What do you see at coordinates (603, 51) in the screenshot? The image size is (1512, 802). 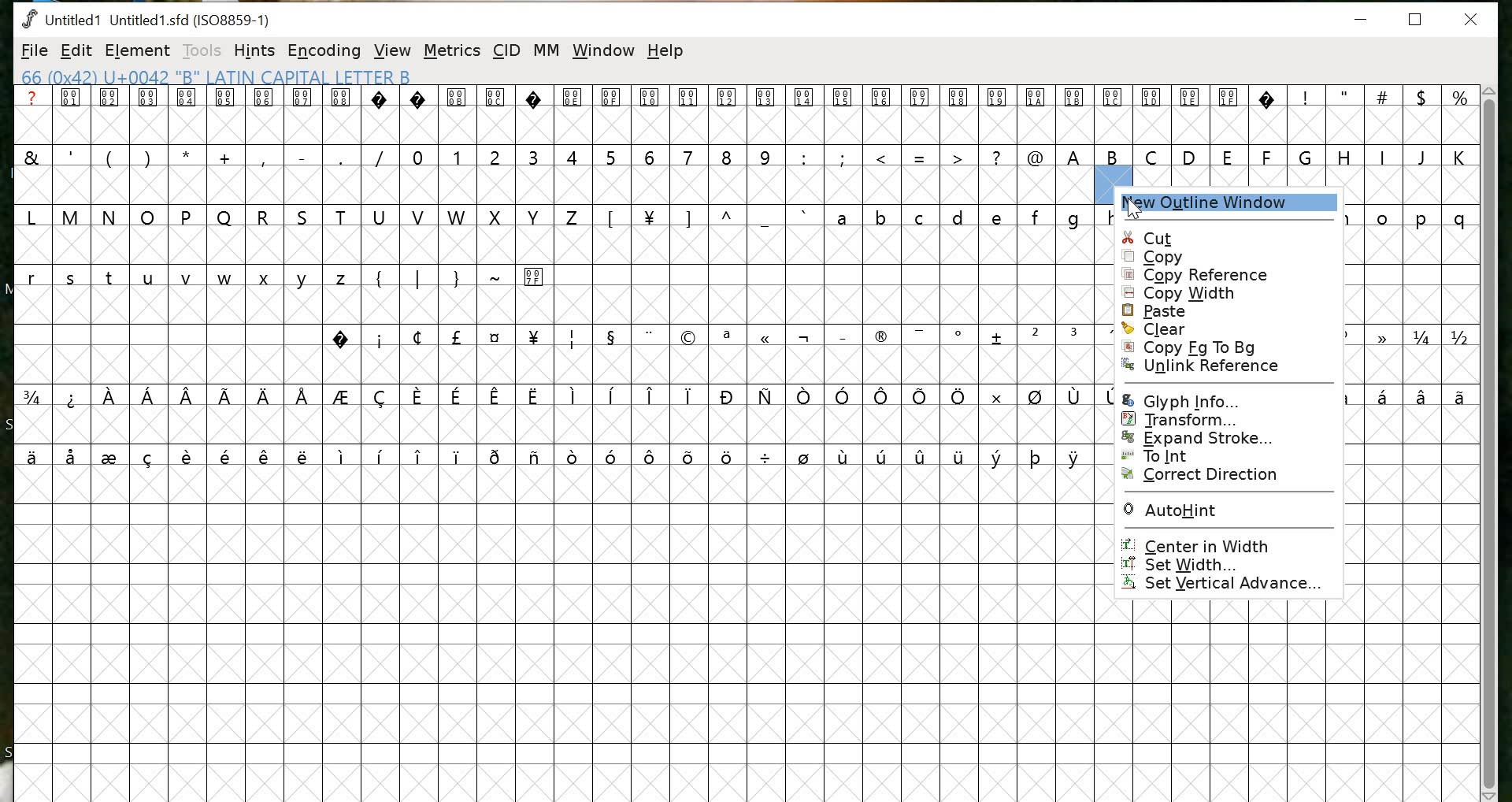 I see `window` at bounding box center [603, 51].